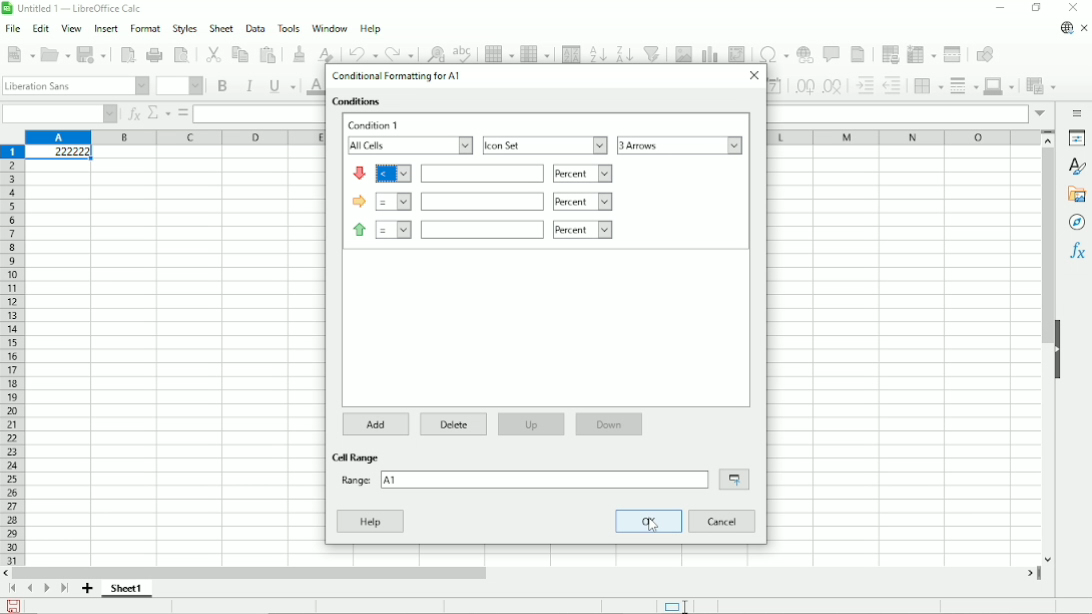  I want to click on scroll up, so click(1049, 139).